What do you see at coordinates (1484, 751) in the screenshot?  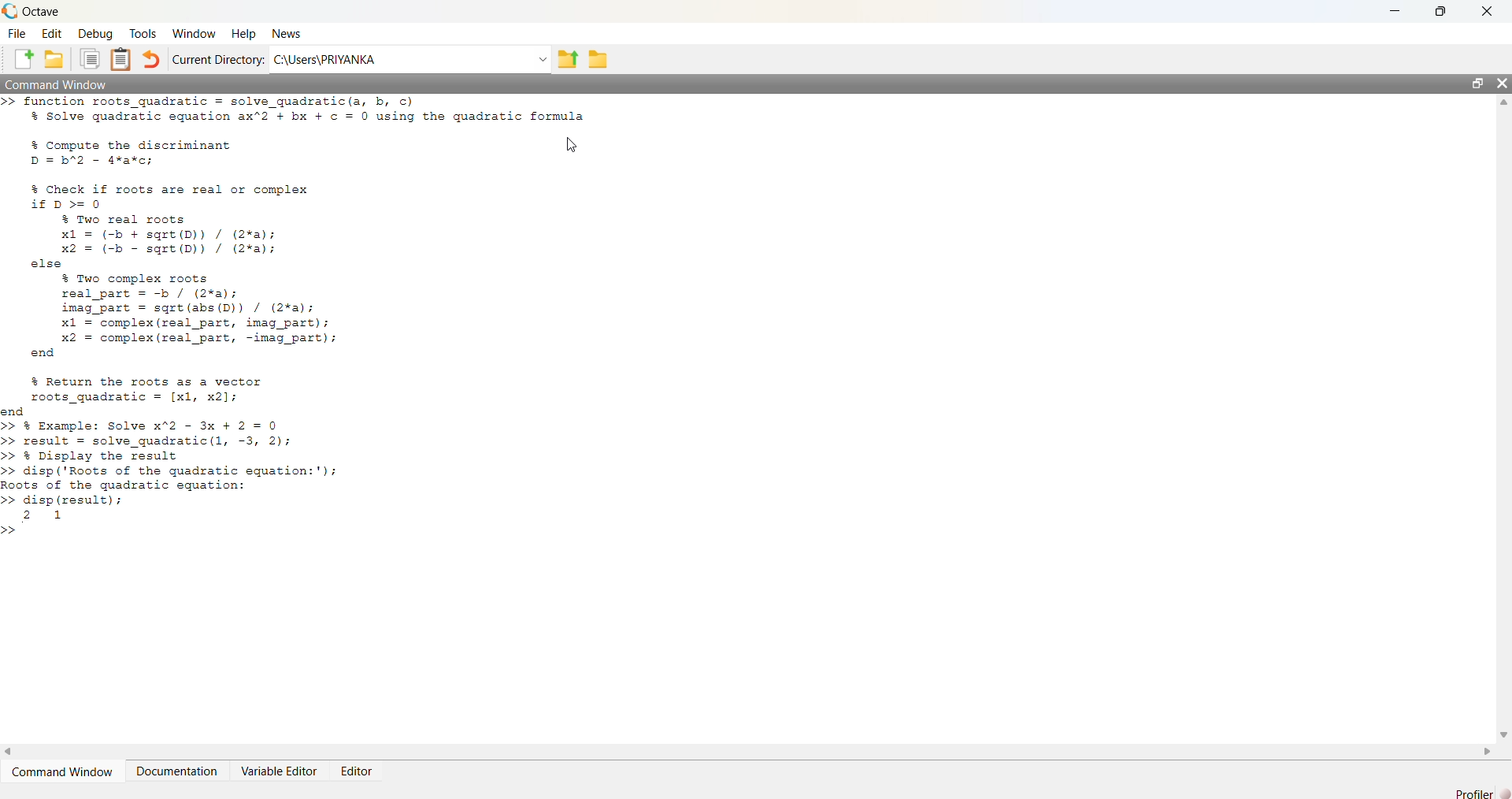 I see `Right` at bounding box center [1484, 751].